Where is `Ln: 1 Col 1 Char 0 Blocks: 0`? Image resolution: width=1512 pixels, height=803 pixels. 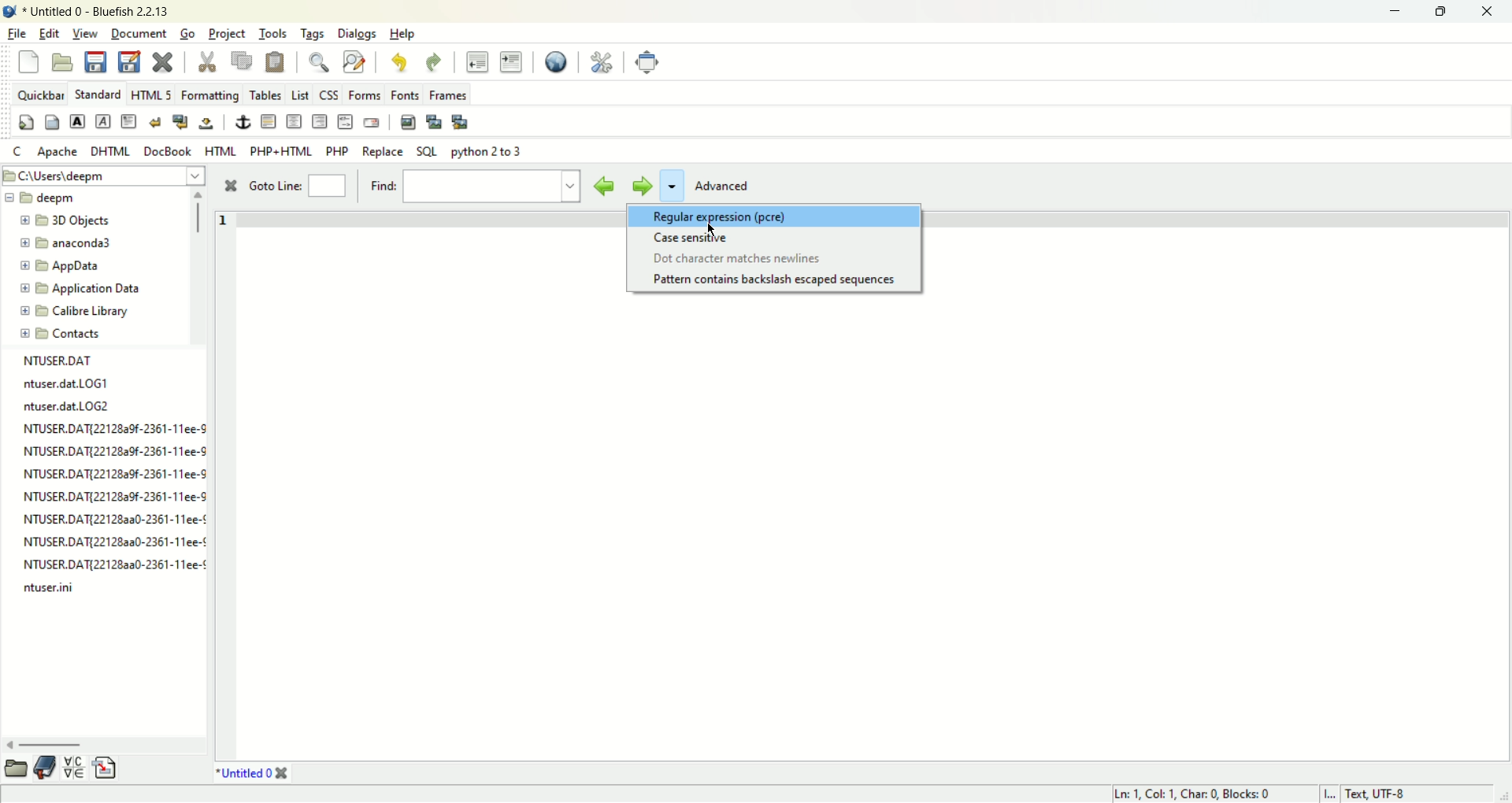
Ln: 1 Col 1 Char 0 Blocks: 0 is located at coordinates (1189, 793).